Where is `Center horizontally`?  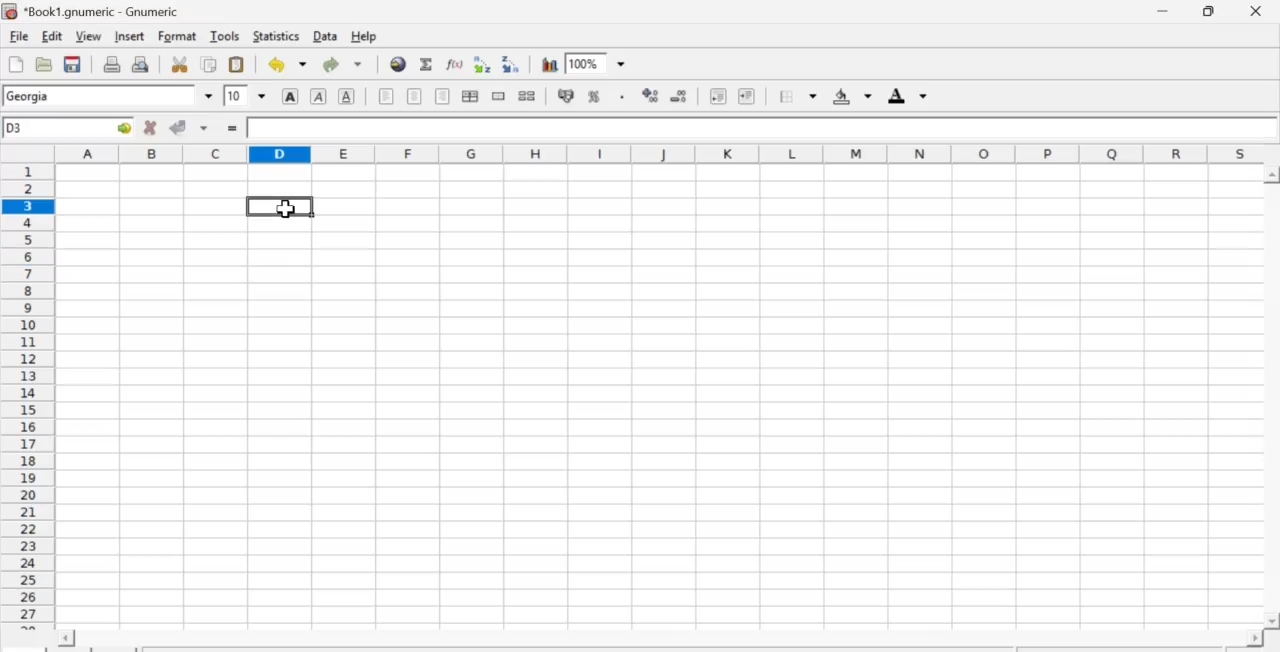 Center horizontally is located at coordinates (470, 97).